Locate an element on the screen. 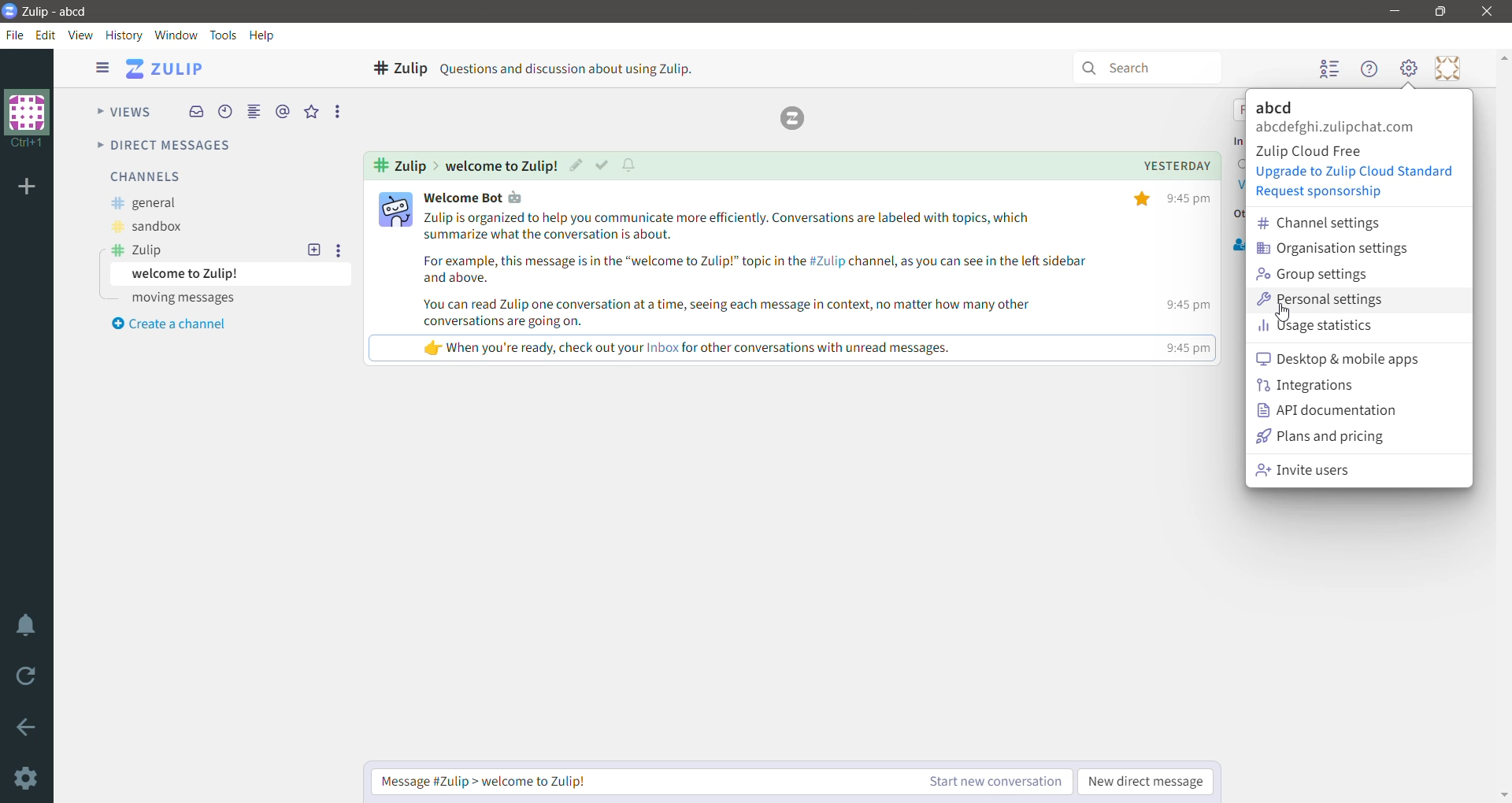 The height and width of the screenshot is (803, 1512). Group settings is located at coordinates (1317, 275).